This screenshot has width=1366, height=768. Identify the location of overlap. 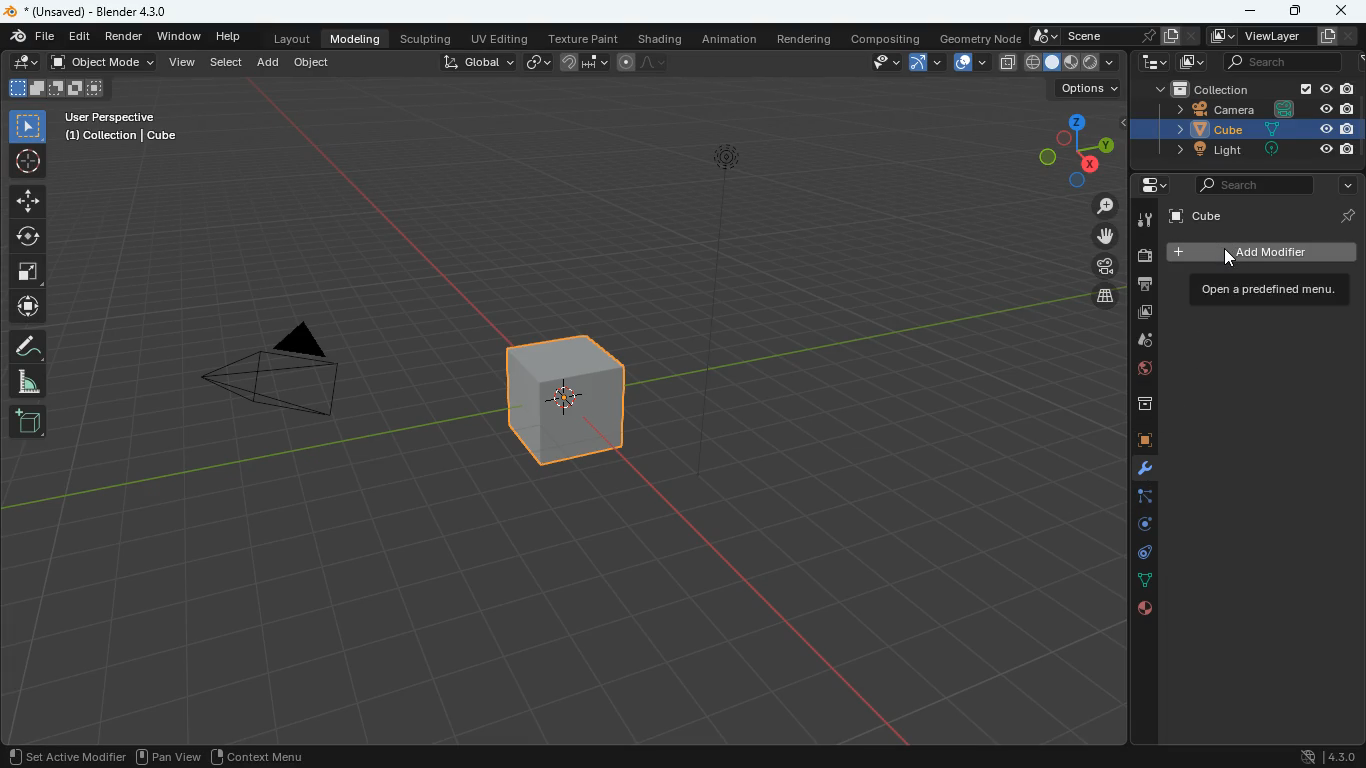
(971, 63).